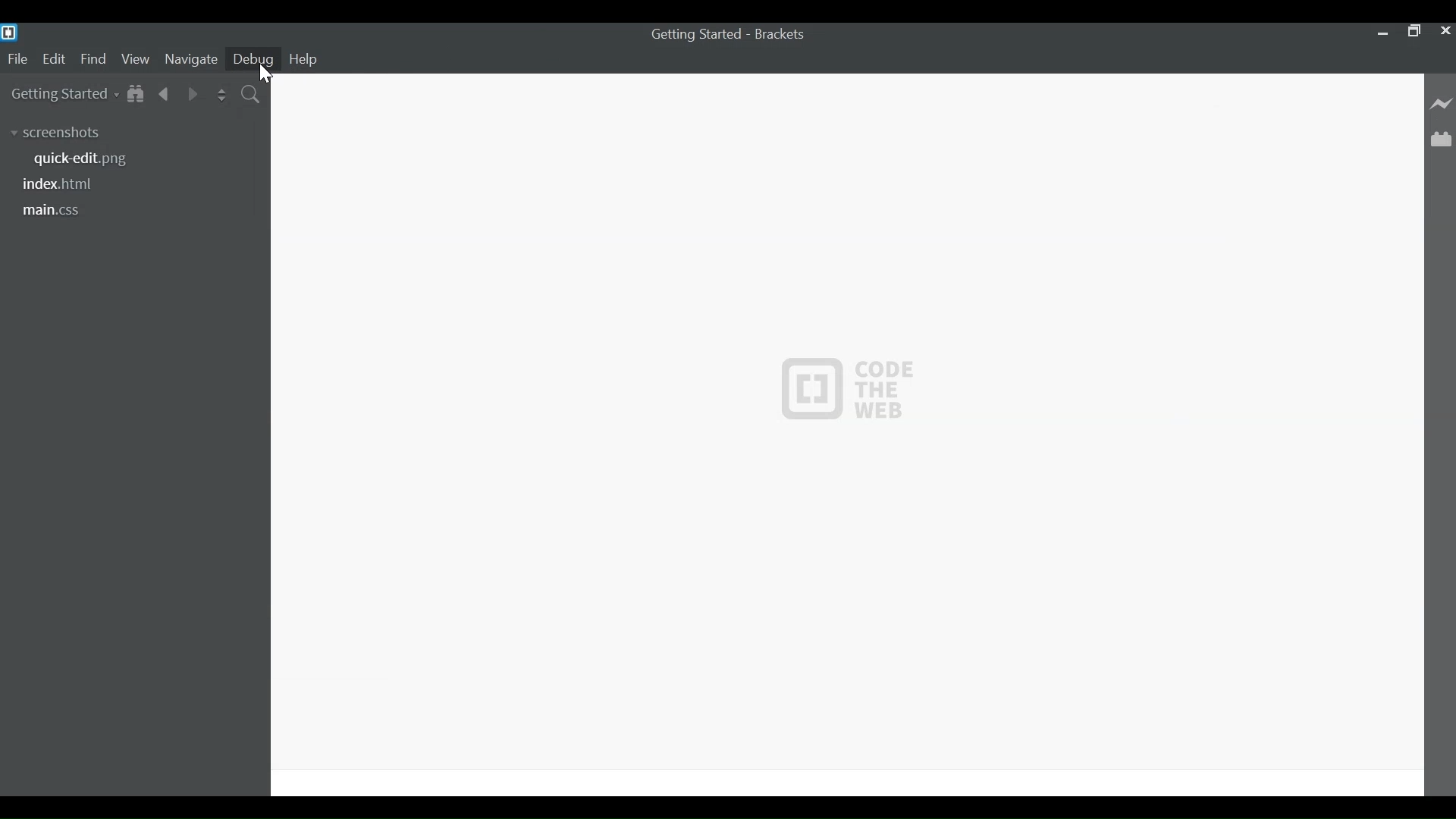 This screenshot has width=1456, height=819. What do you see at coordinates (57, 58) in the screenshot?
I see `Edit` at bounding box center [57, 58].